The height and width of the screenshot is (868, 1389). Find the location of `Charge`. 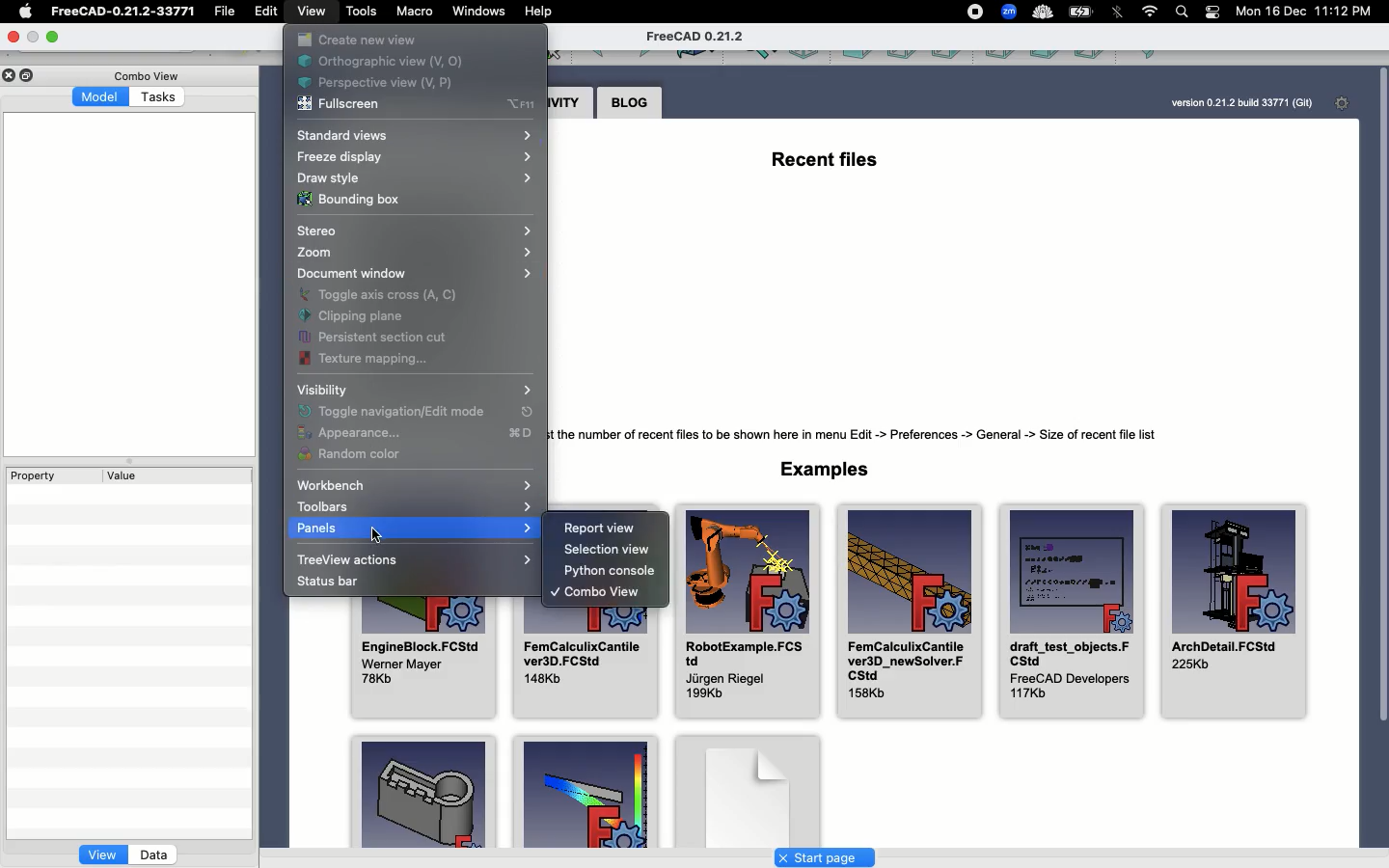

Charge is located at coordinates (1083, 12).